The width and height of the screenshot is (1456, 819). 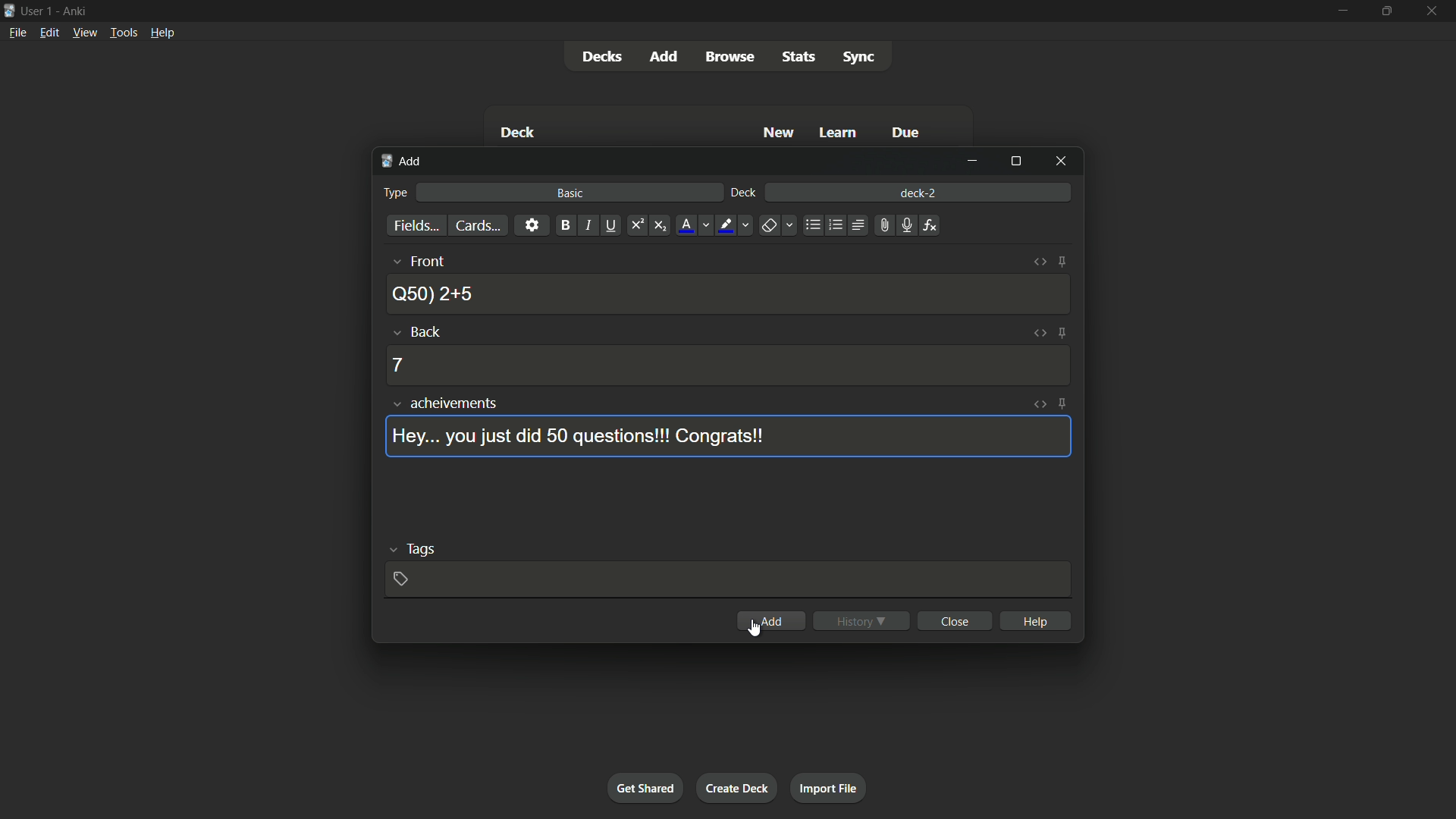 I want to click on view menu, so click(x=85, y=33).